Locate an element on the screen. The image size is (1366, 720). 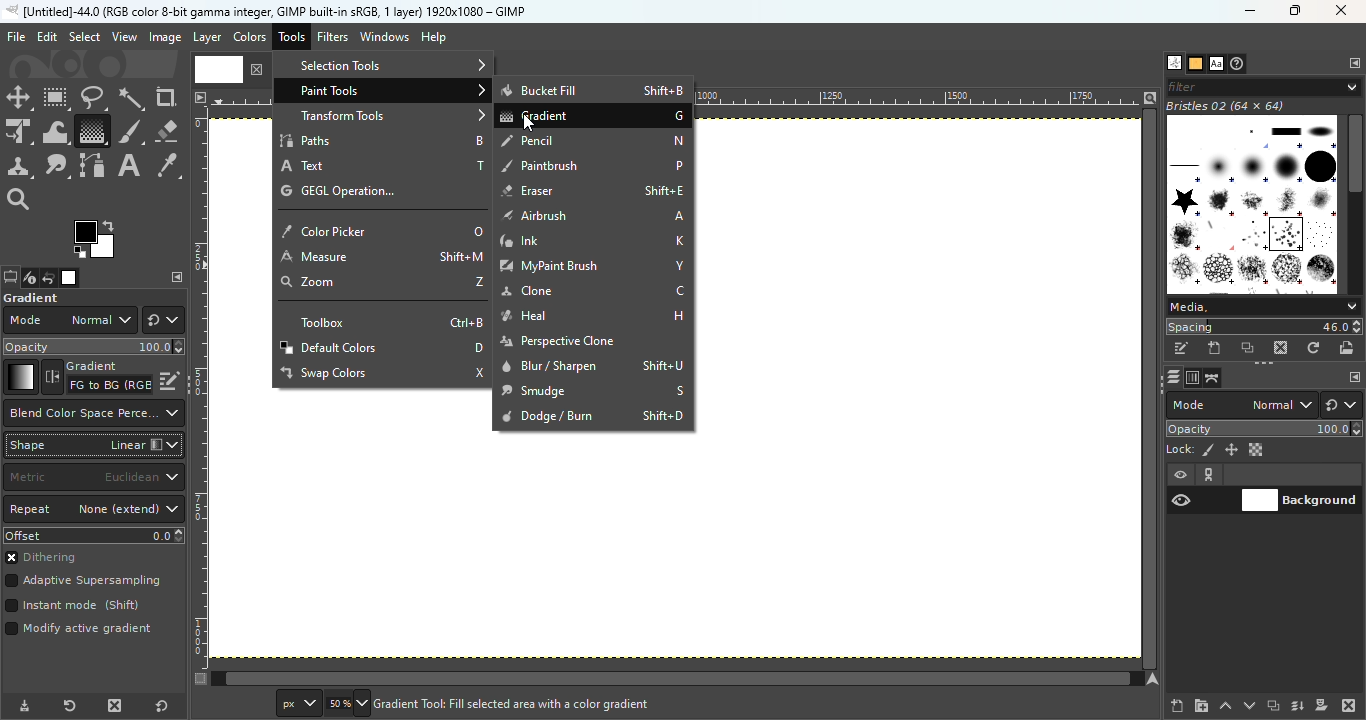
Dithering is located at coordinates (49, 559).